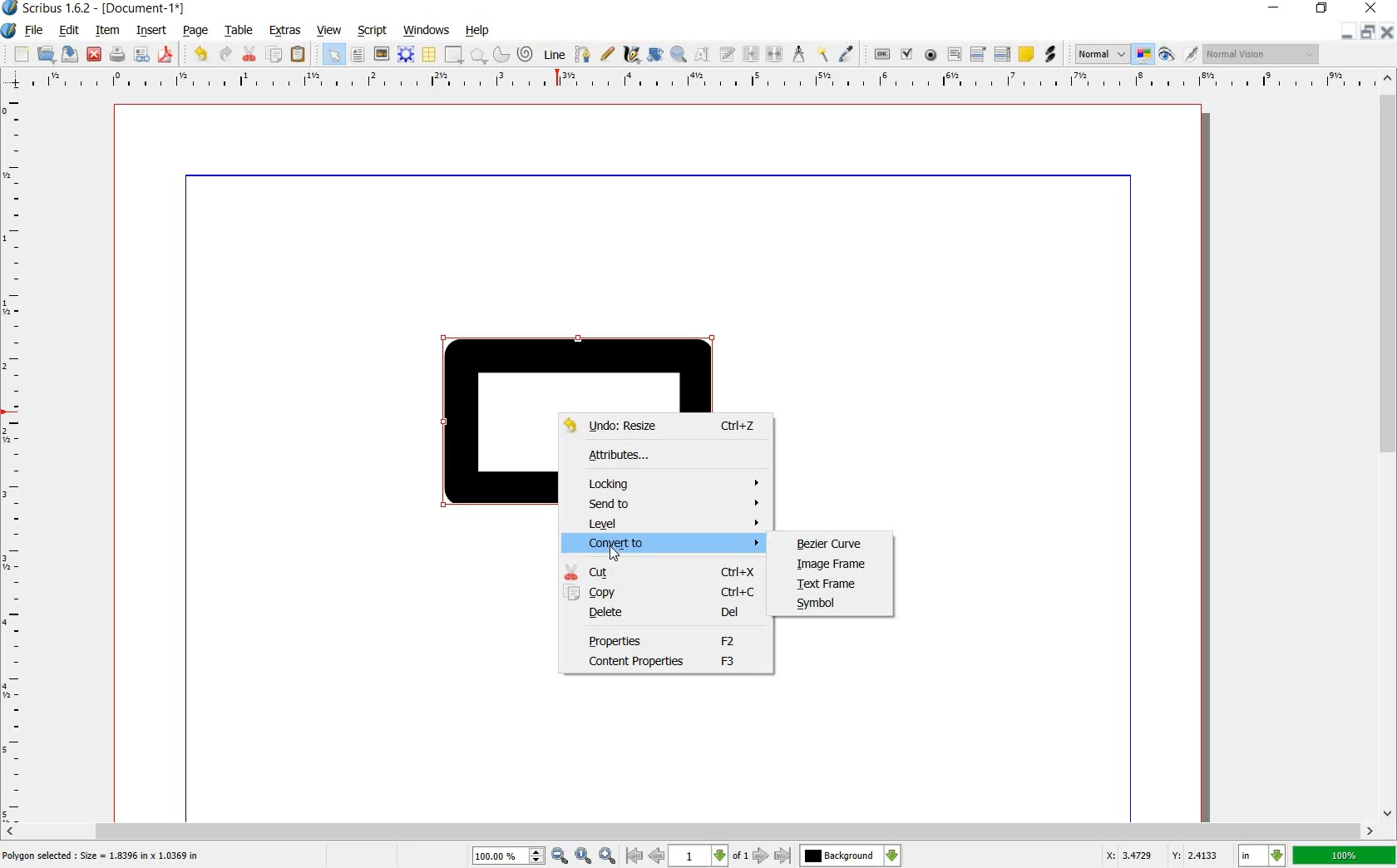 Image resolution: width=1397 pixels, height=868 pixels. Describe the element at coordinates (664, 640) in the screenshot. I see `PROPERTIES F2` at that location.